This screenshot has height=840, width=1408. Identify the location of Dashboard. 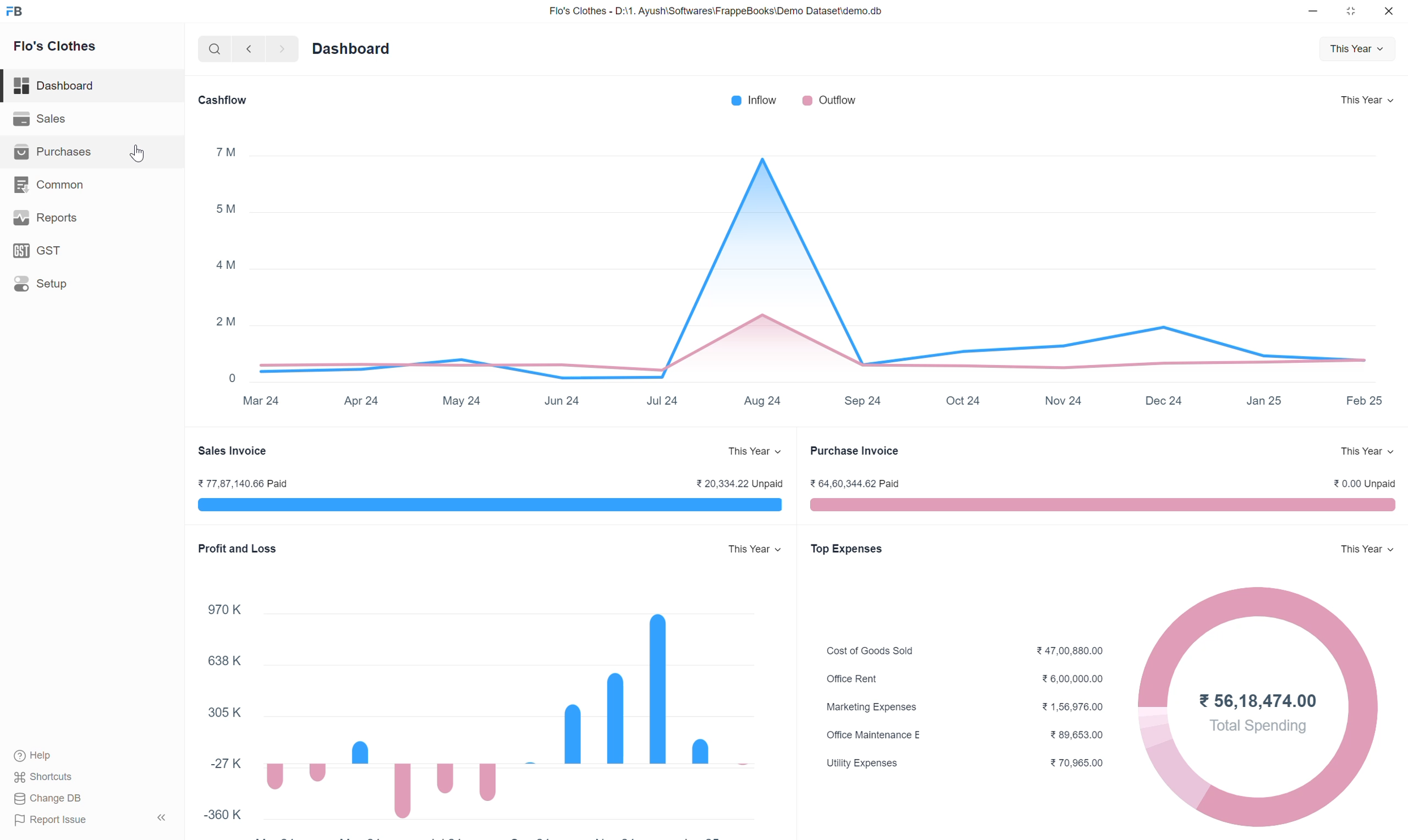
(353, 48).